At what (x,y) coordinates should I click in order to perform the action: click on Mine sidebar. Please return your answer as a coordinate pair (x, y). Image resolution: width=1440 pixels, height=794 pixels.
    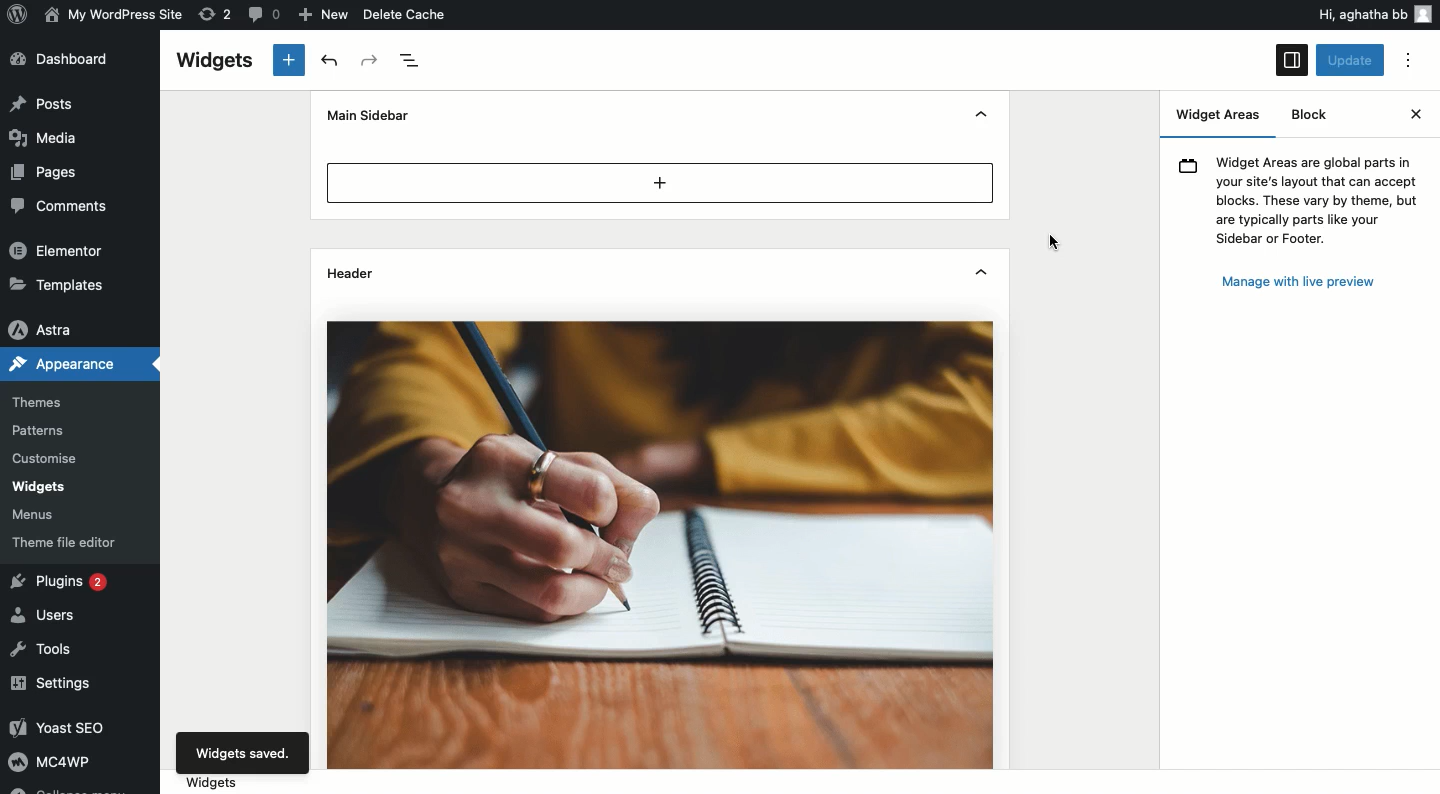
    Looking at the image, I should click on (365, 115).